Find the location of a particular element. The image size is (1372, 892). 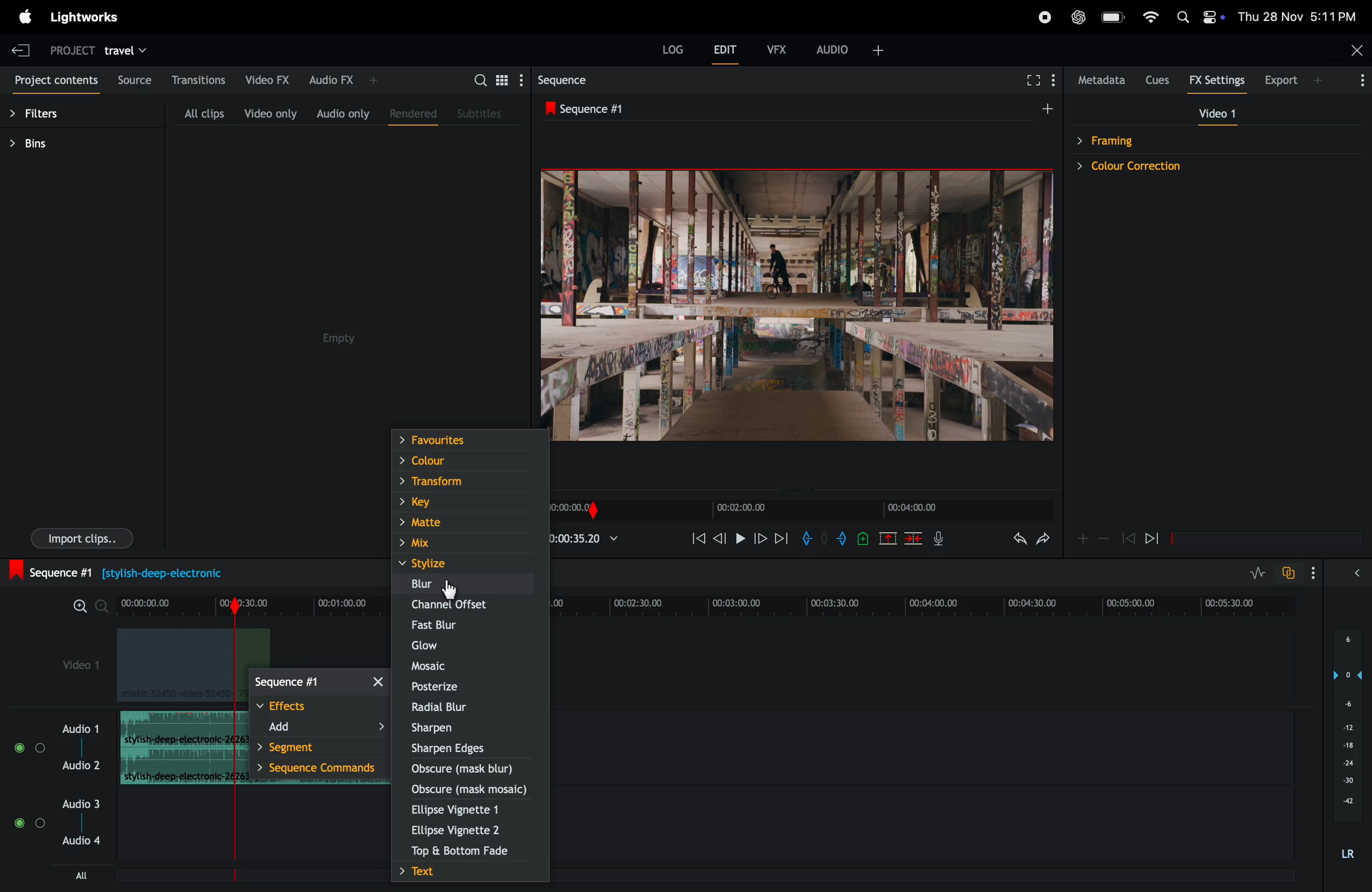

sharpen edges is located at coordinates (464, 747).